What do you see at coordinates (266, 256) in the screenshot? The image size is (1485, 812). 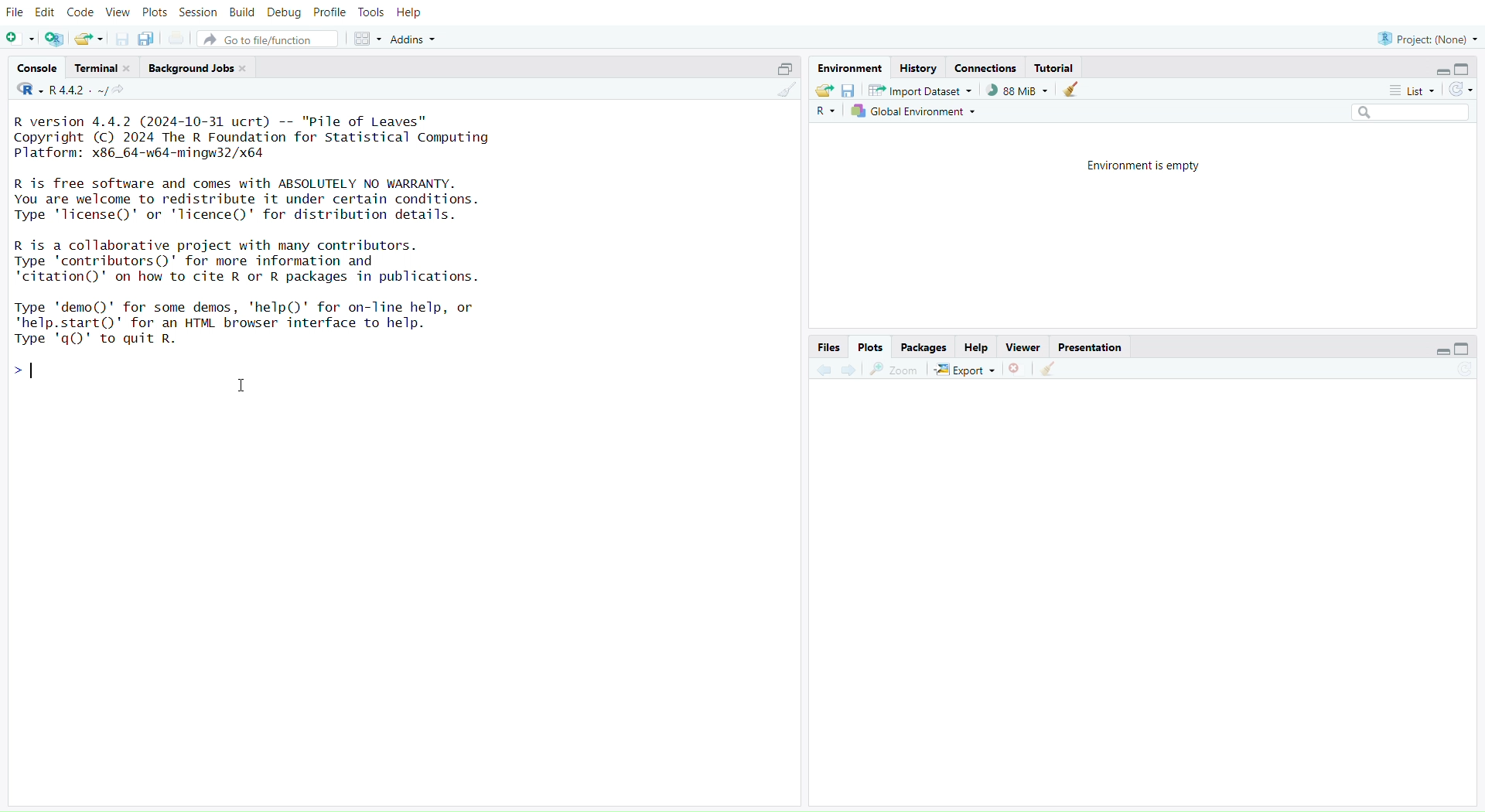 I see `R version 4.4.2 (2024-10-31 ucrt) -- "Pile of Leaves"
Copyright (C) 2024 The R Foundation for Statistical Computing
Platform: x86_64-w64-mingw32/x64
R is free software and comes with ABSOLUTELY NO WARRANTY.
You are welcome to redistribute it under certain conditions.
Type 'license()' or 'licence()' for distribution details.
R is a collaborative project with many contributors.
Type 'contributors()' for more information and
"citation()' on how to cite R or R packages in publications.
Type 'demo()' for some demos, 'help()' for on-line help, or
"help.start()' for an HTML browser interface to help.
Type 'q()' to quit R.
-

I` at bounding box center [266, 256].